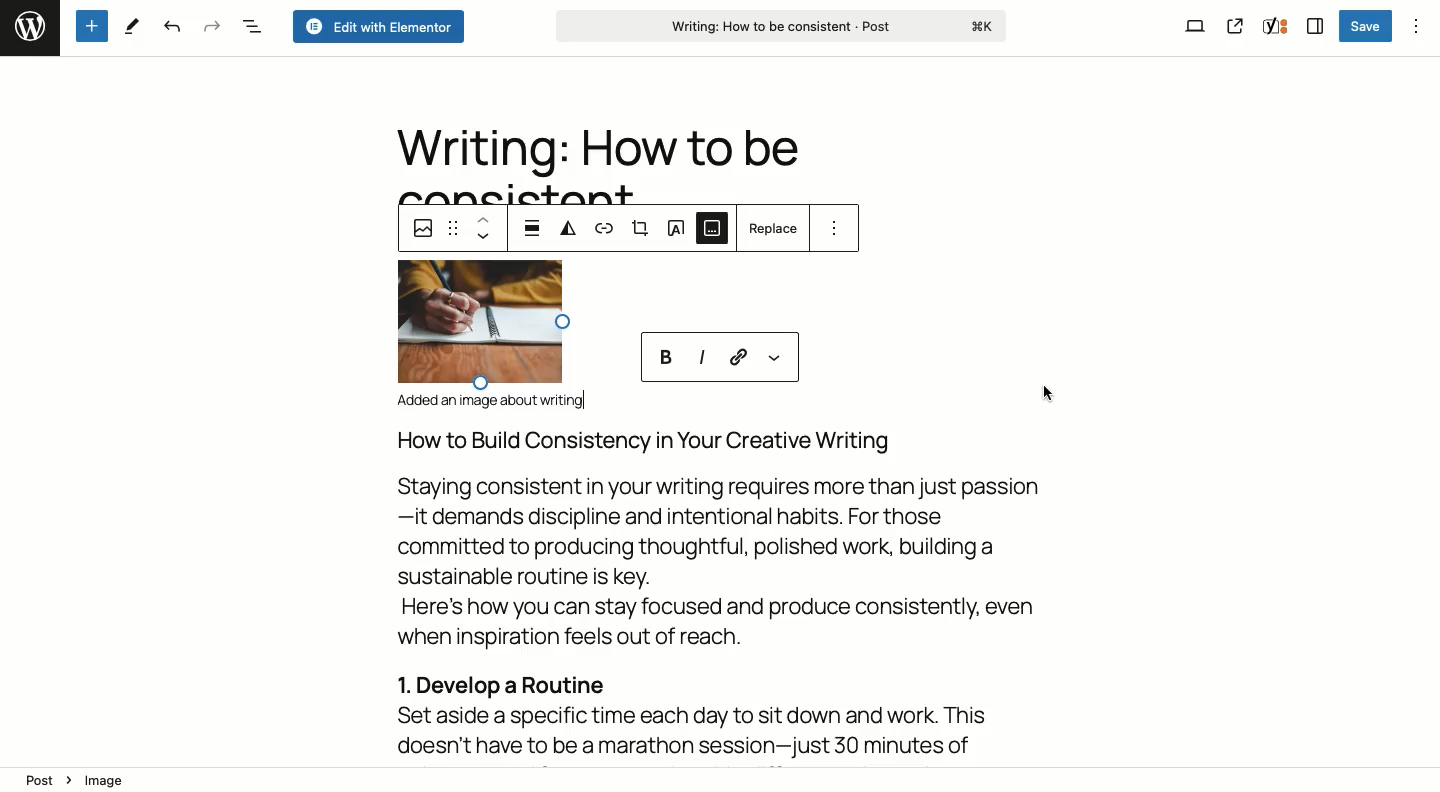 The image size is (1440, 792). Describe the element at coordinates (534, 226) in the screenshot. I see `Align` at that location.